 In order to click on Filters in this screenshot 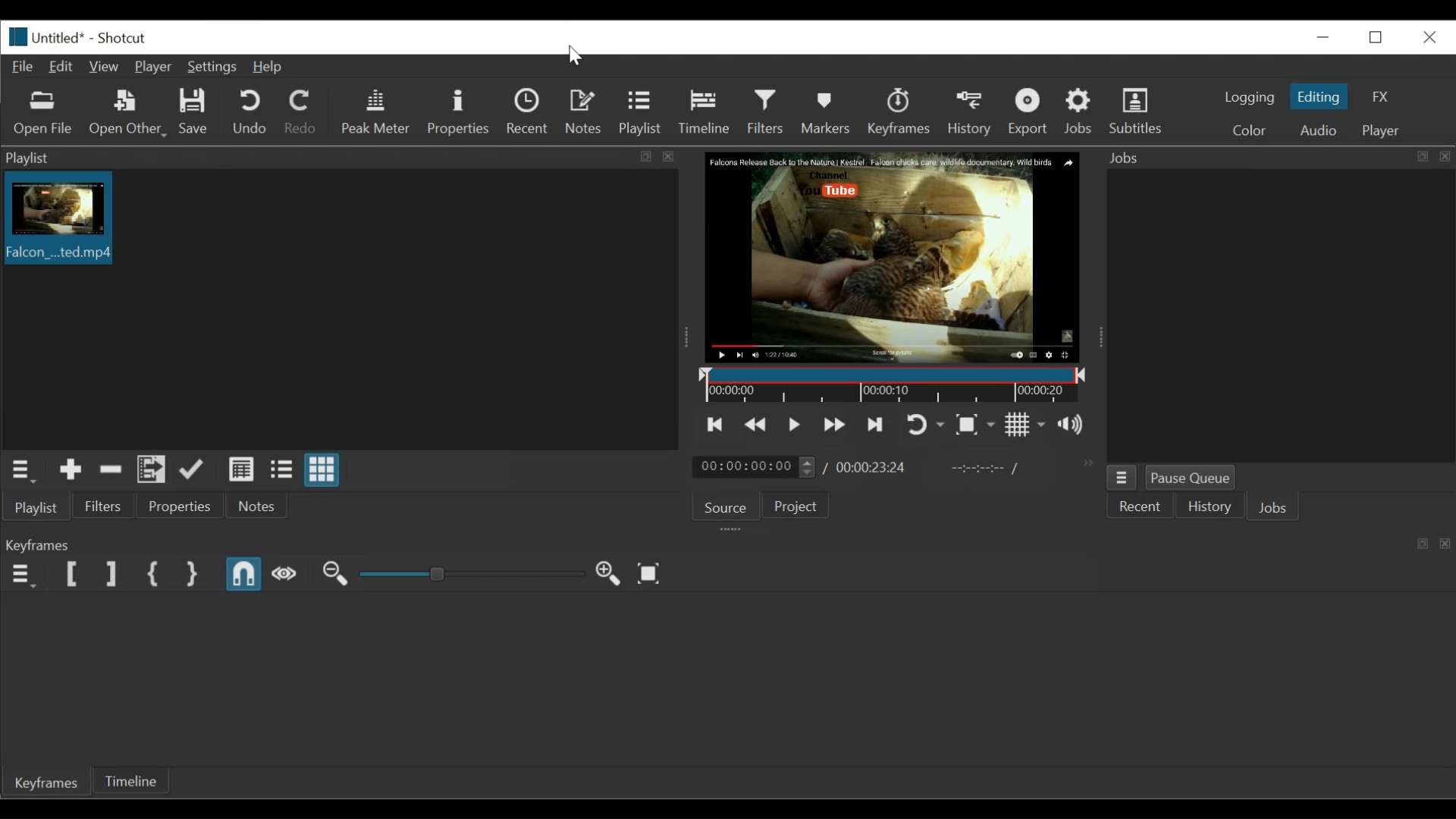, I will do `click(107, 508)`.